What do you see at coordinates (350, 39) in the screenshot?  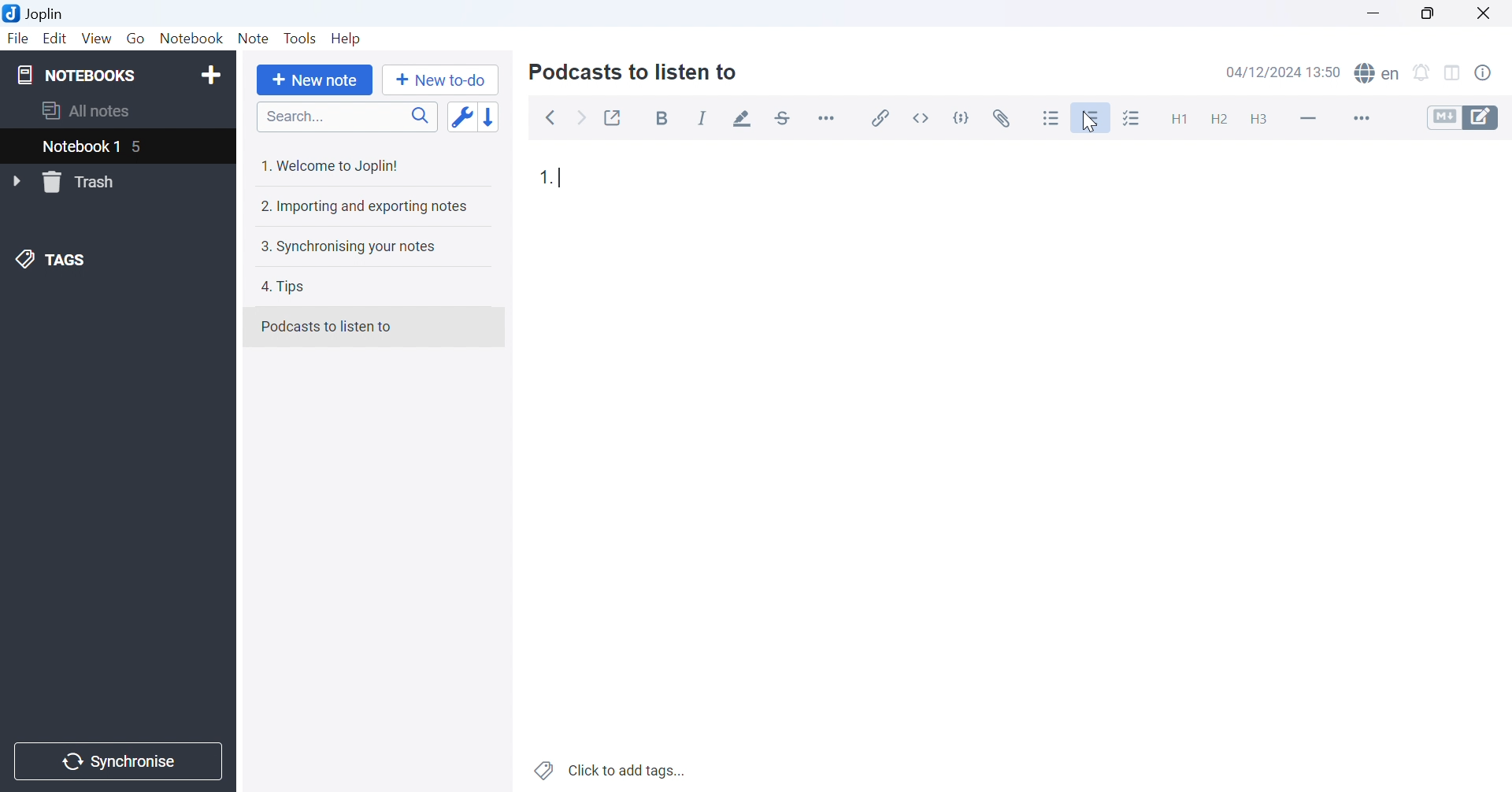 I see `Help` at bounding box center [350, 39].